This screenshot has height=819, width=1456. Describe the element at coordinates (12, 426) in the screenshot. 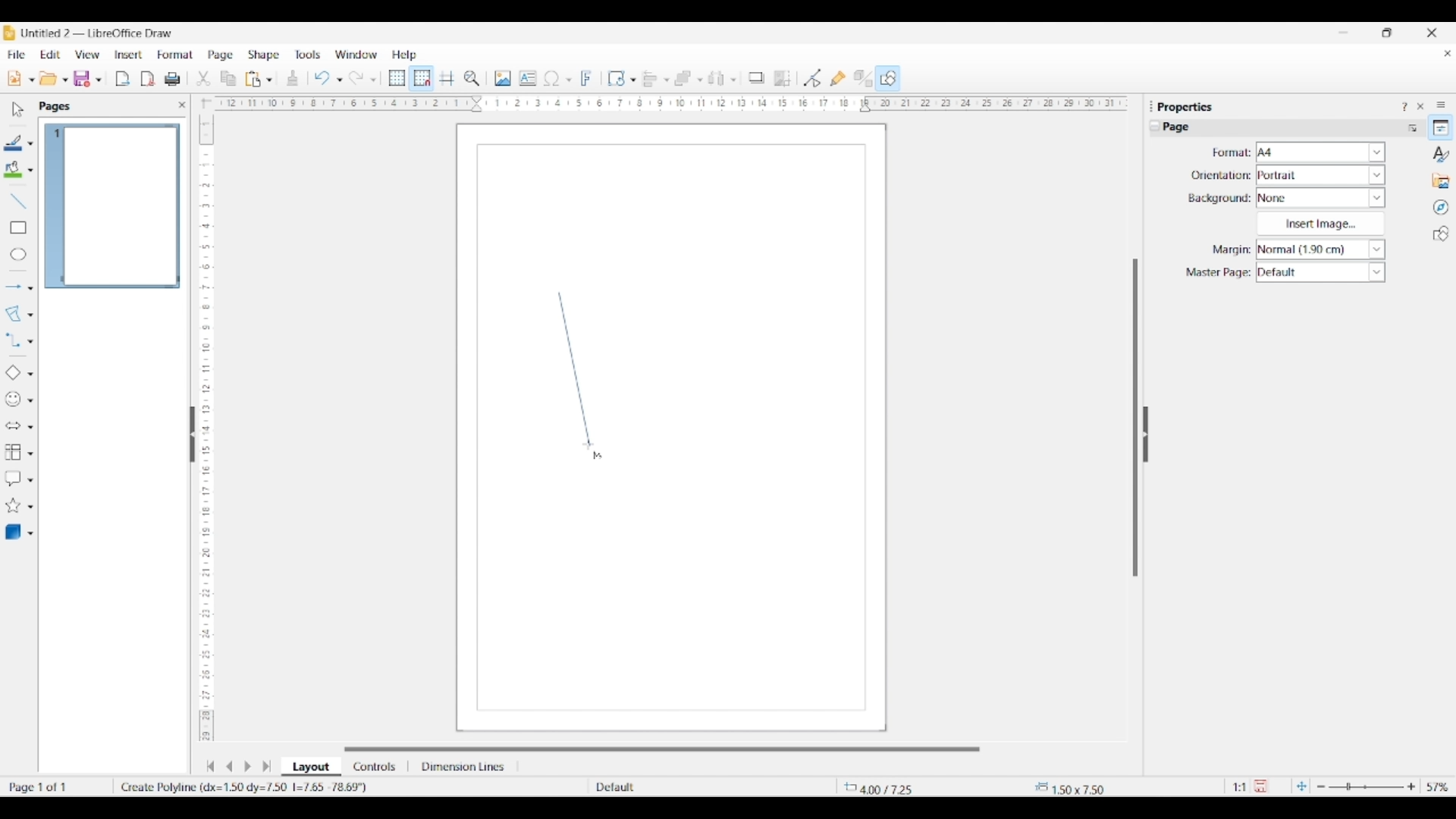

I see `Selected block arrow` at that location.